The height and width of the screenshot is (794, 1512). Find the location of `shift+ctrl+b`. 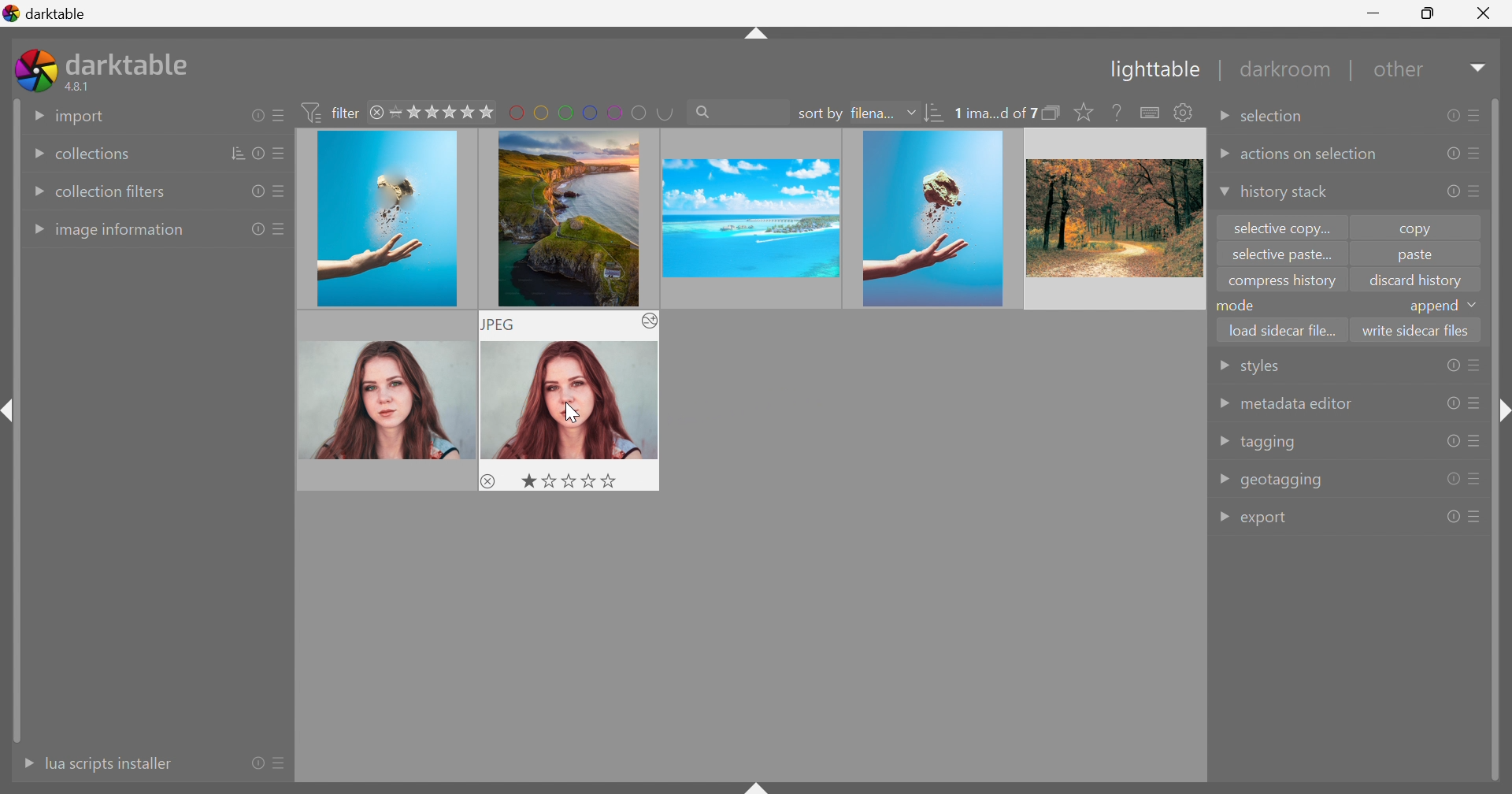

shift+ctrl+b is located at coordinates (758, 785).